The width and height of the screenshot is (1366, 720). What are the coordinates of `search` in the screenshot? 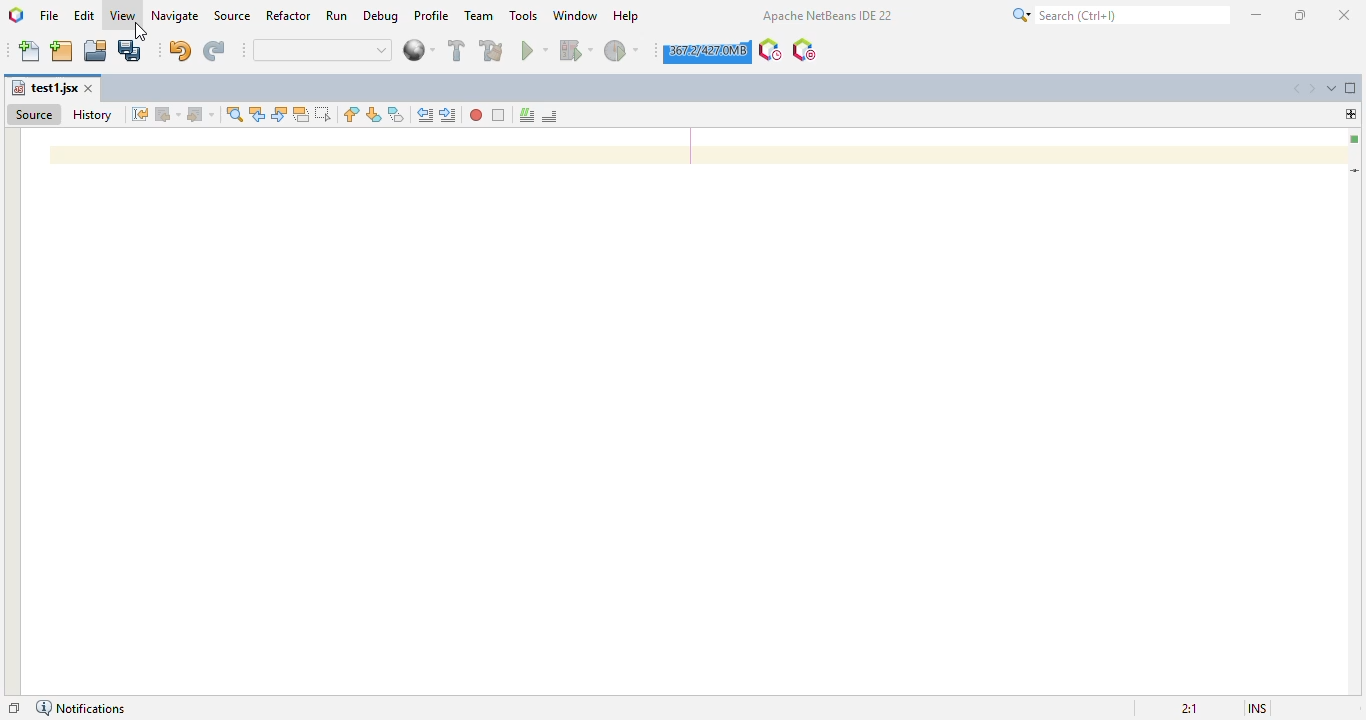 It's located at (1120, 15).